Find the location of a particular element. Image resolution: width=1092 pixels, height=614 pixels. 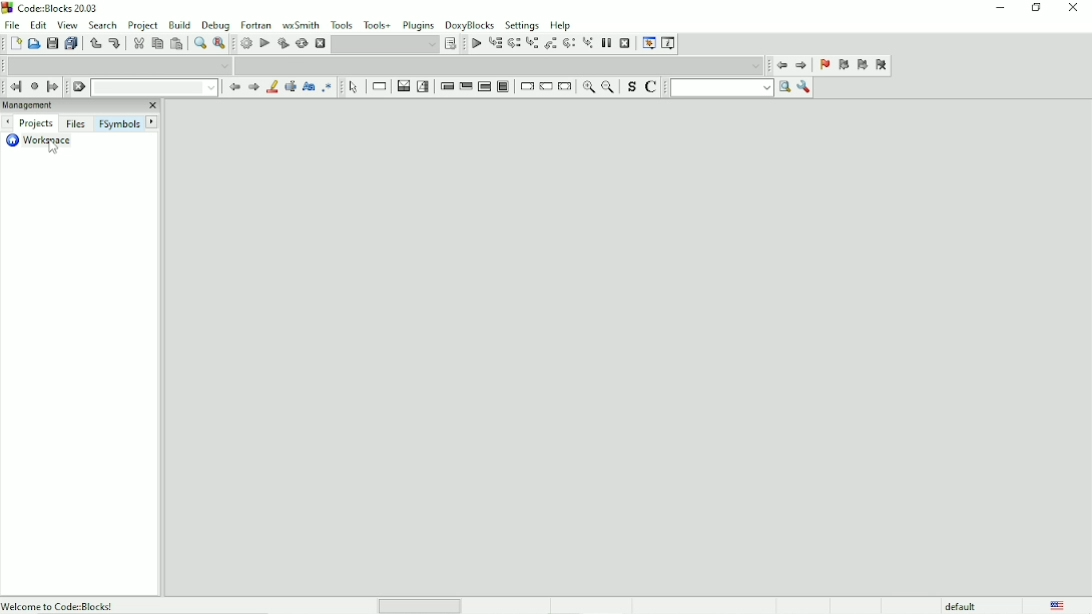

Jump forward is located at coordinates (54, 87).